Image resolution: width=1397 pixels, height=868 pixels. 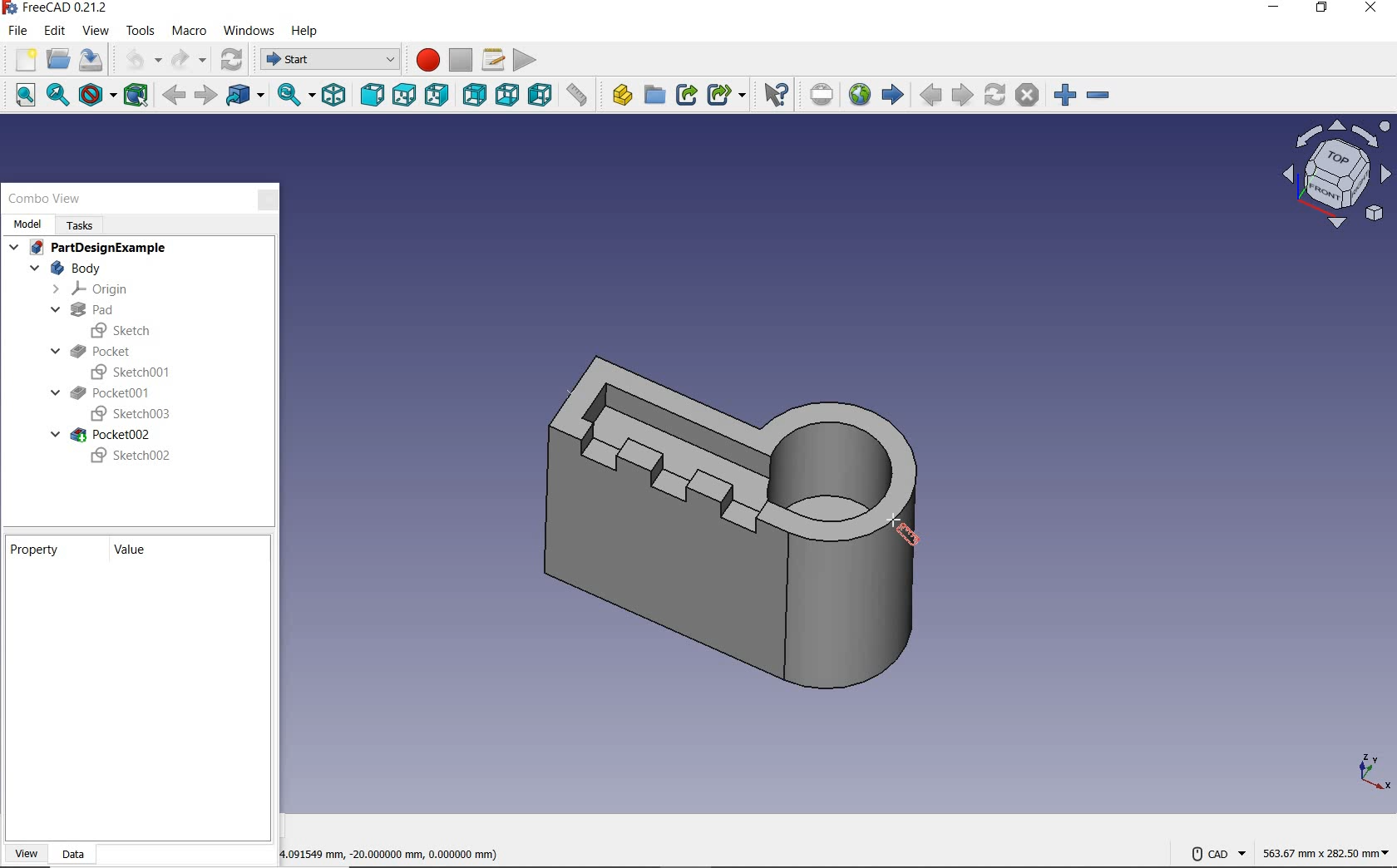 What do you see at coordinates (80, 310) in the screenshot?
I see `PAD` at bounding box center [80, 310].